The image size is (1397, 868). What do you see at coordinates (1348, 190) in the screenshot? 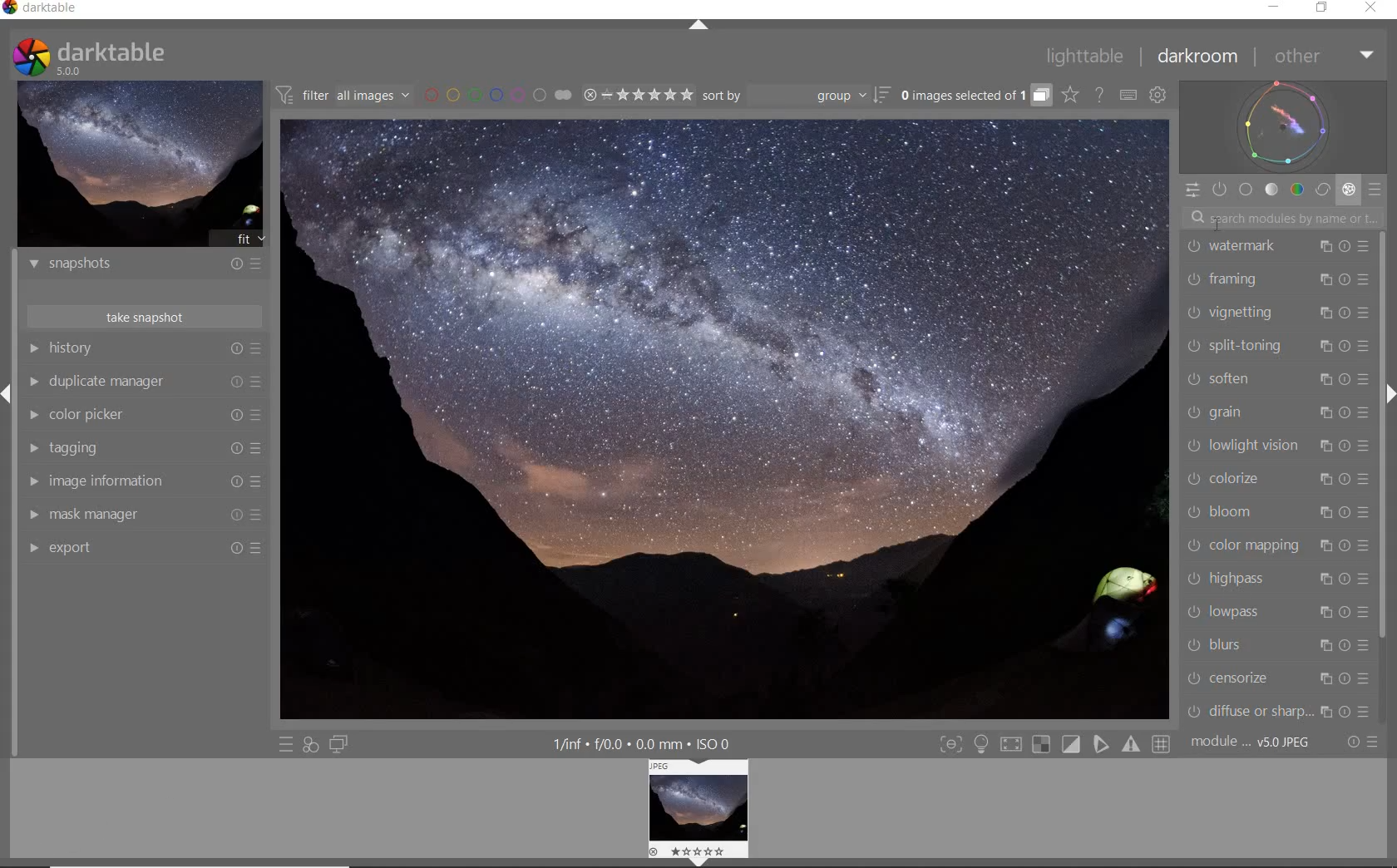
I see `EFFECT` at bounding box center [1348, 190].